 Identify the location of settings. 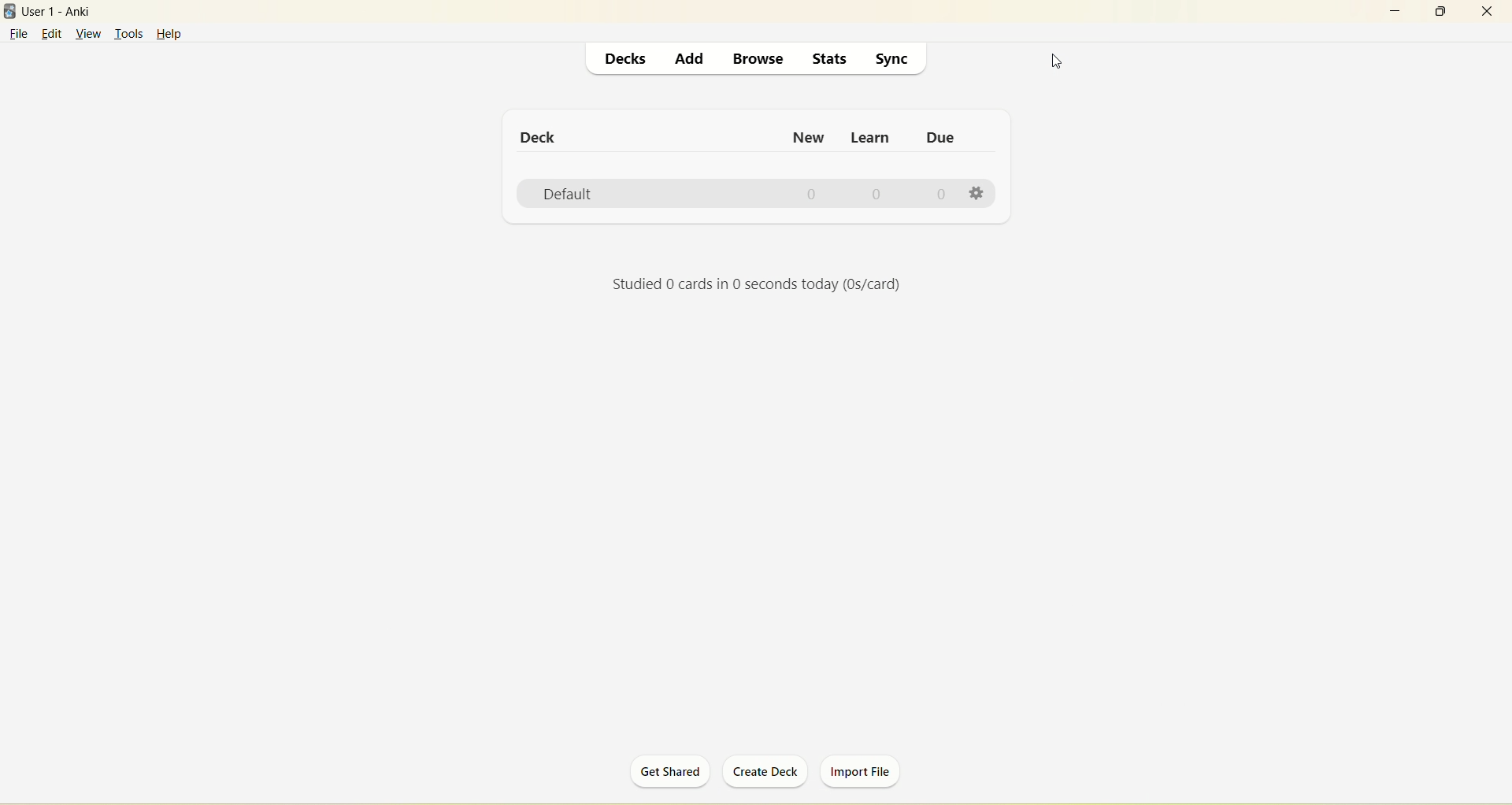
(979, 193).